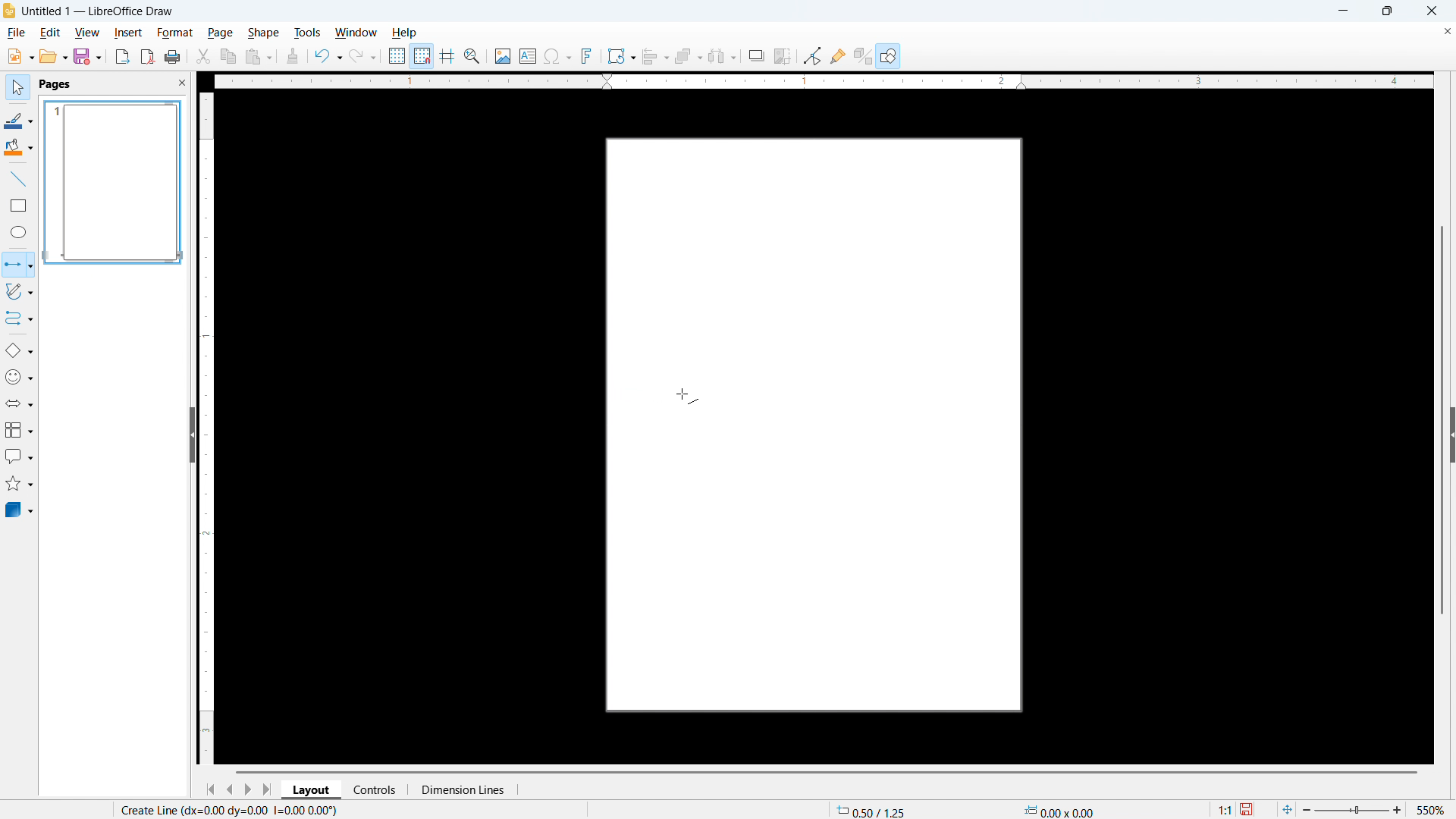  I want to click on Connectors , so click(20, 318).